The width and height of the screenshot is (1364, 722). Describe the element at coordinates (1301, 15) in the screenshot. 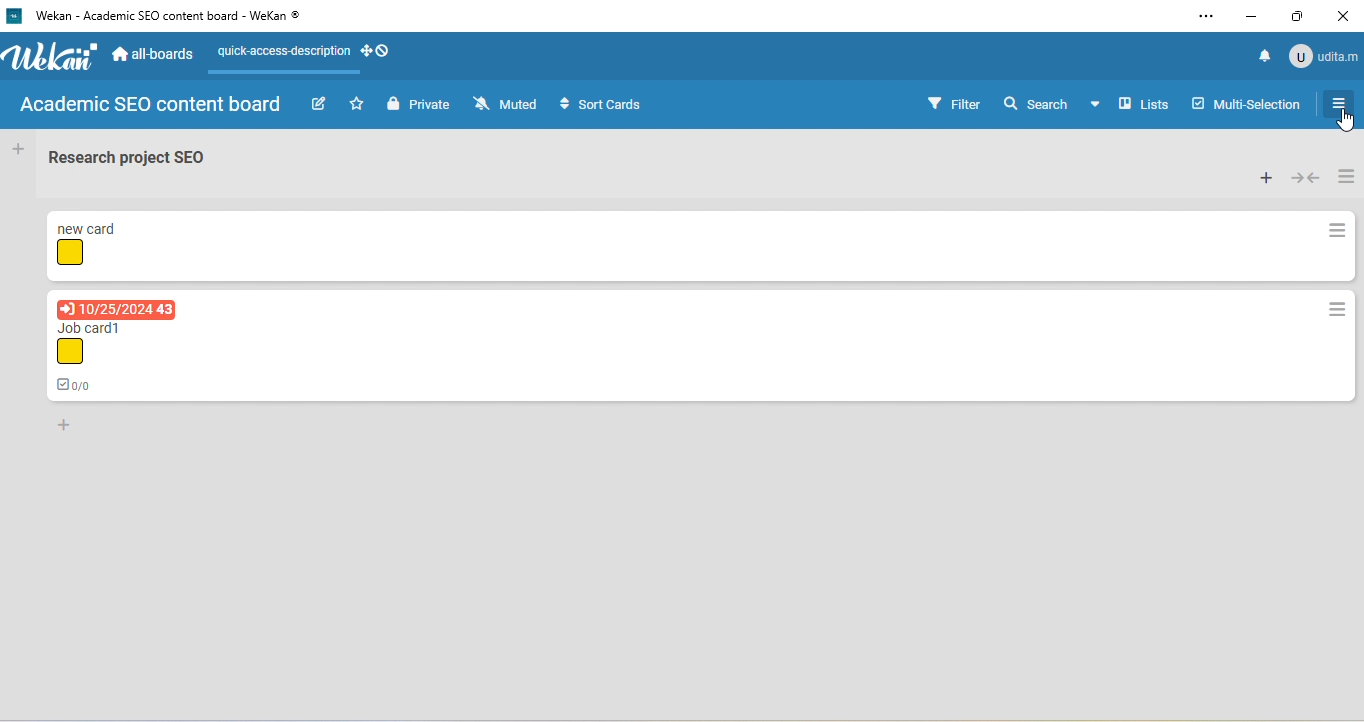

I see `maximize` at that location.